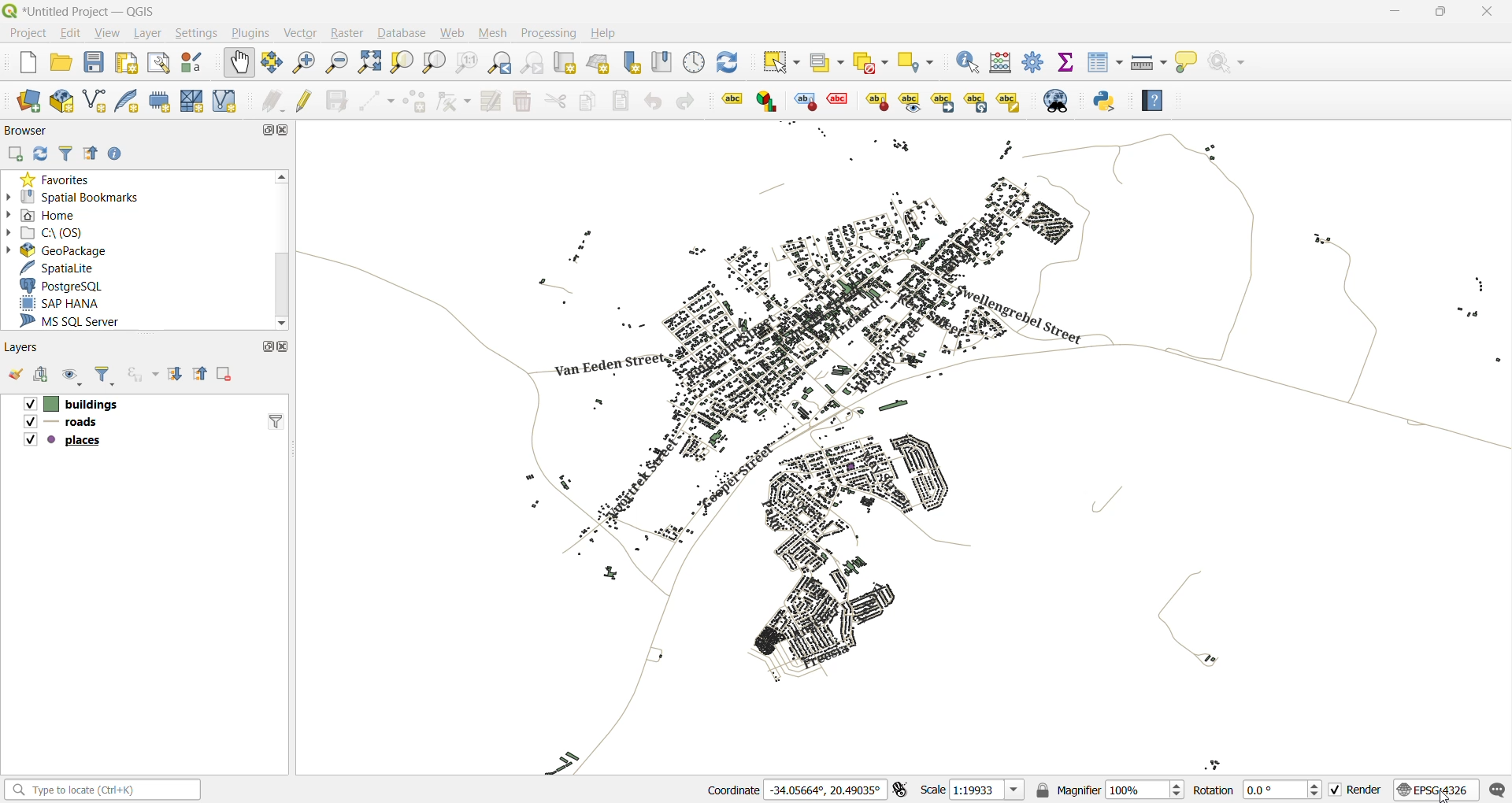  I want to click on zoom out, so click(337, 64).